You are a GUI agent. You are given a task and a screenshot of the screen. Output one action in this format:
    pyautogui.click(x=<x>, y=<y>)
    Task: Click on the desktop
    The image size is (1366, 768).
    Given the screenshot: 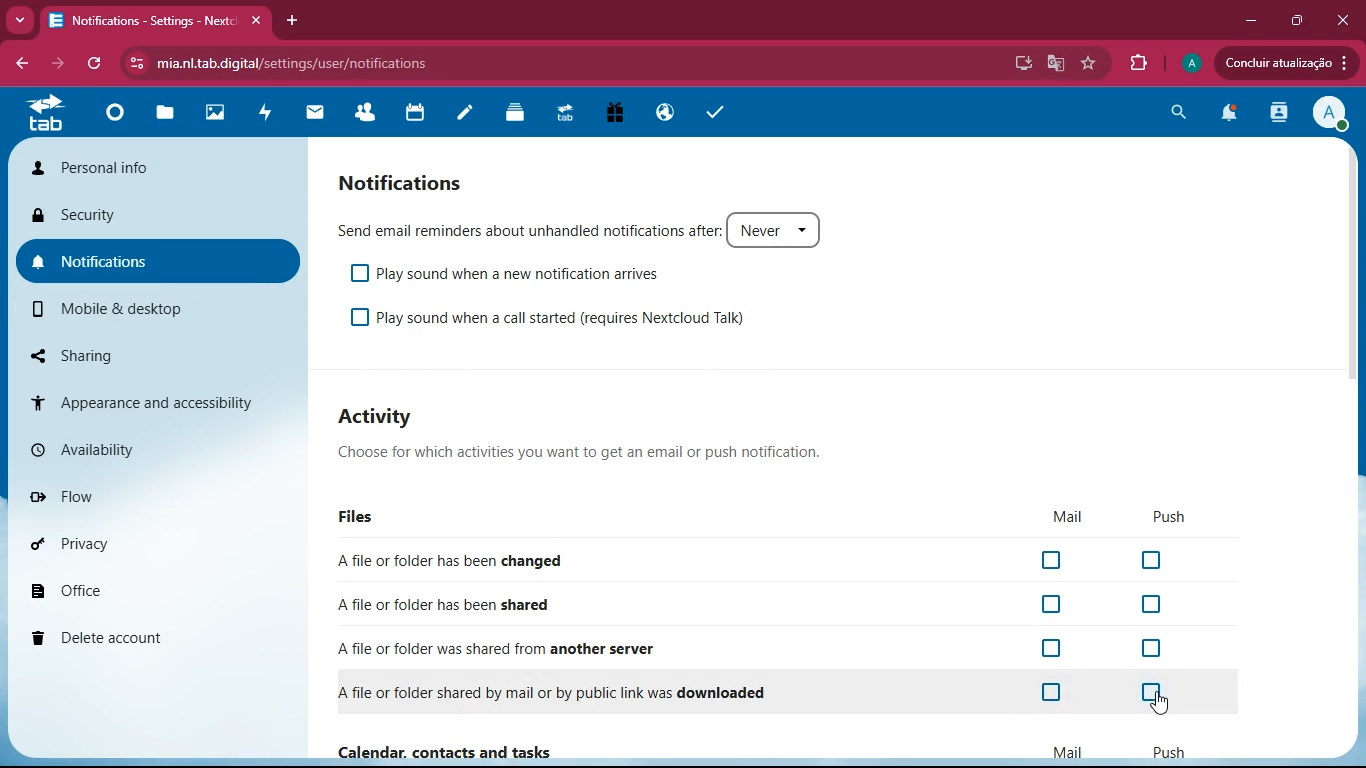 What is the action you would take?
    pyautogui.click(x=1023, y=65)
    